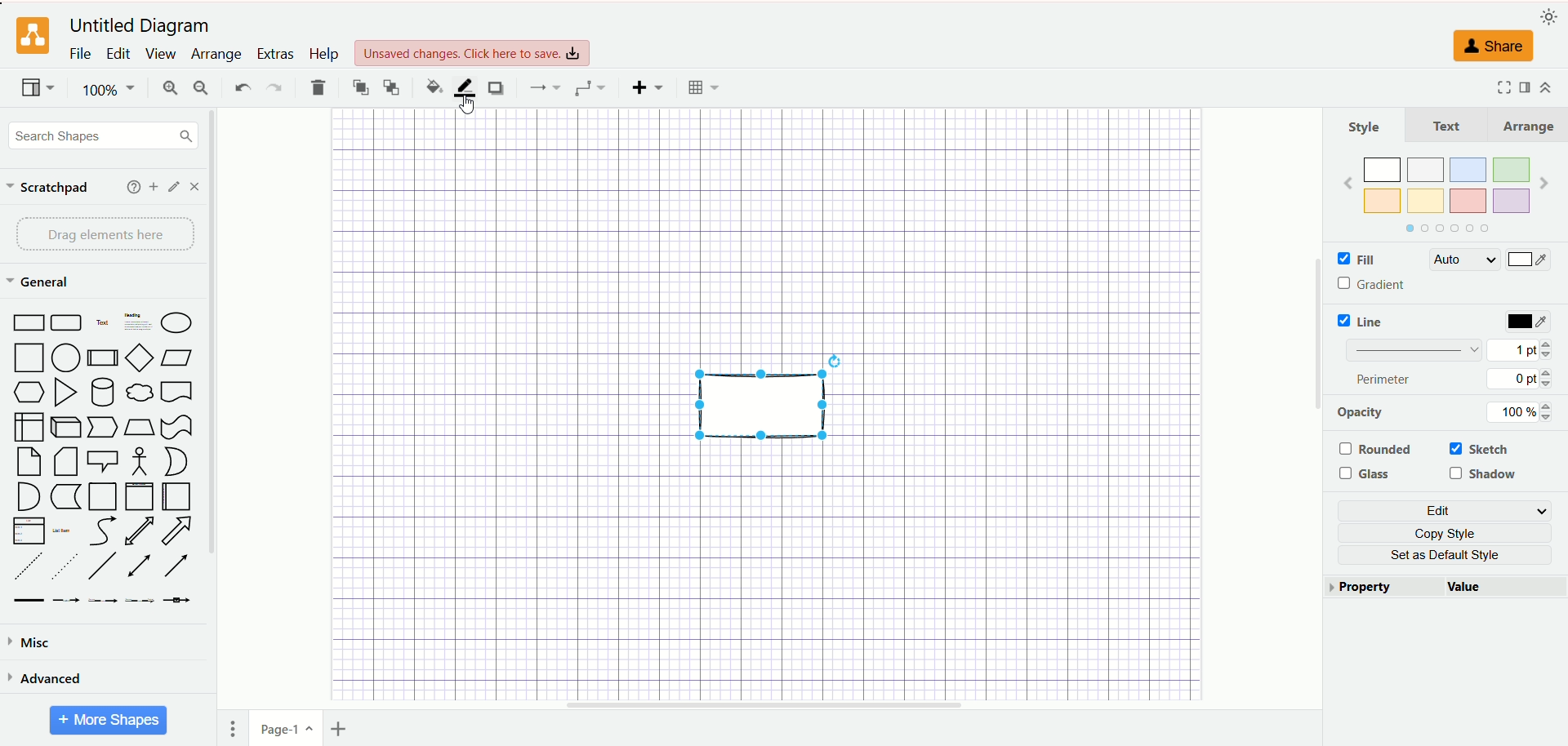 This screenshot has height=746, width=1568. What do you see at coordinates (1374, 284) in the screenshot?
I see `gradient` at bounding box center [1374, 284].